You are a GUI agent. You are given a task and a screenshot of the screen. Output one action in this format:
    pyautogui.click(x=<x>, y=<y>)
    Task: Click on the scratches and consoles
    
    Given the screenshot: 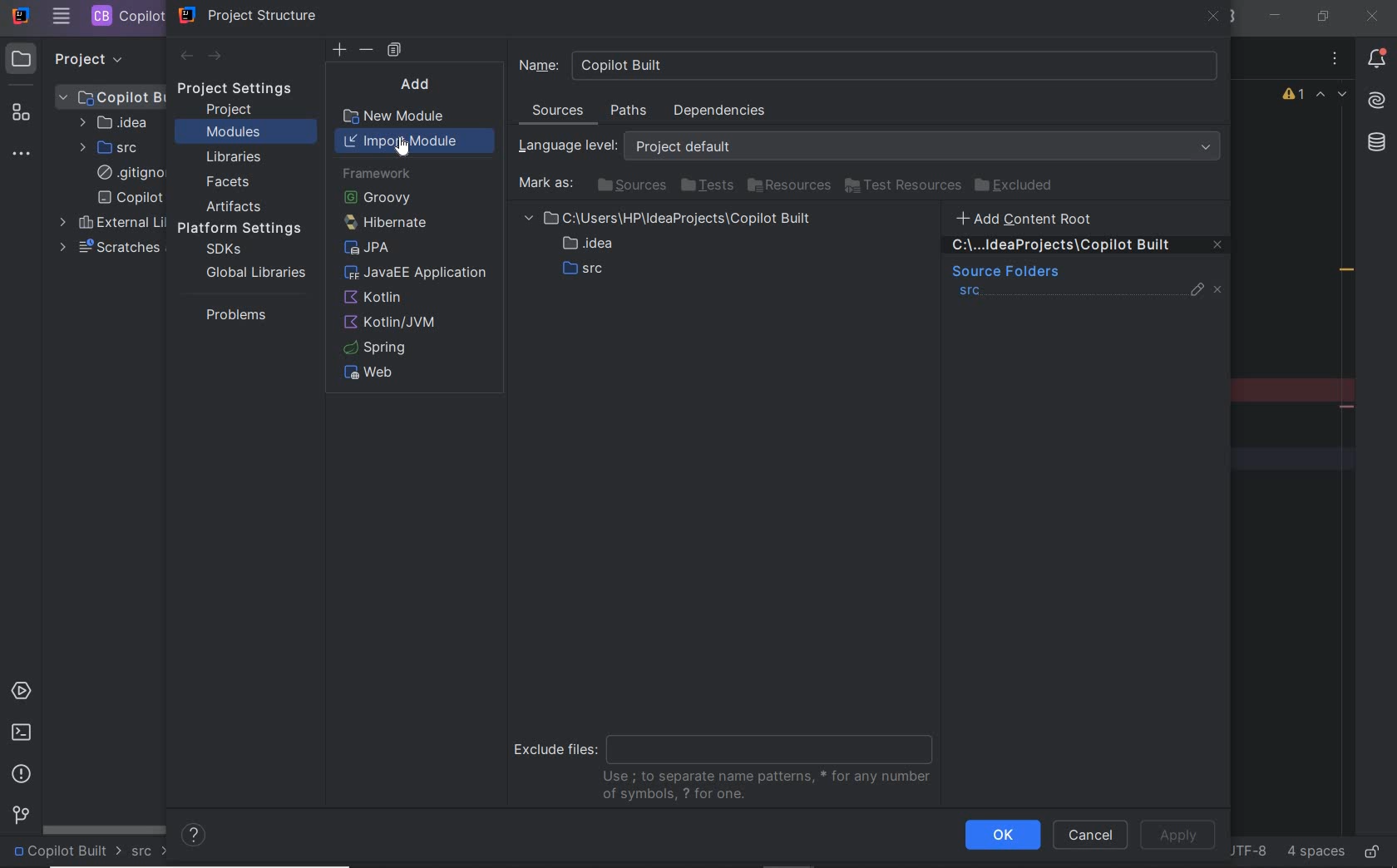 What is the action you would take?
    pyautogui.click(x=109, y=248)
    